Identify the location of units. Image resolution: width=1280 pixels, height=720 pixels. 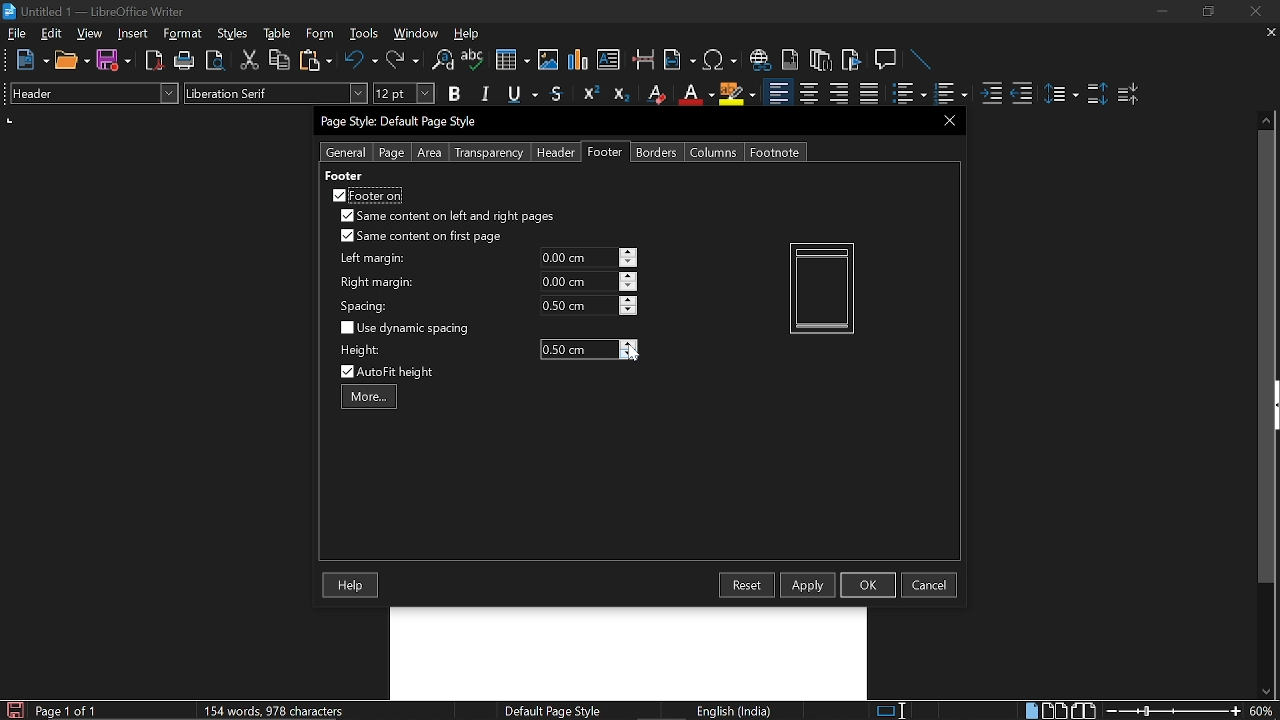
(11, 121).